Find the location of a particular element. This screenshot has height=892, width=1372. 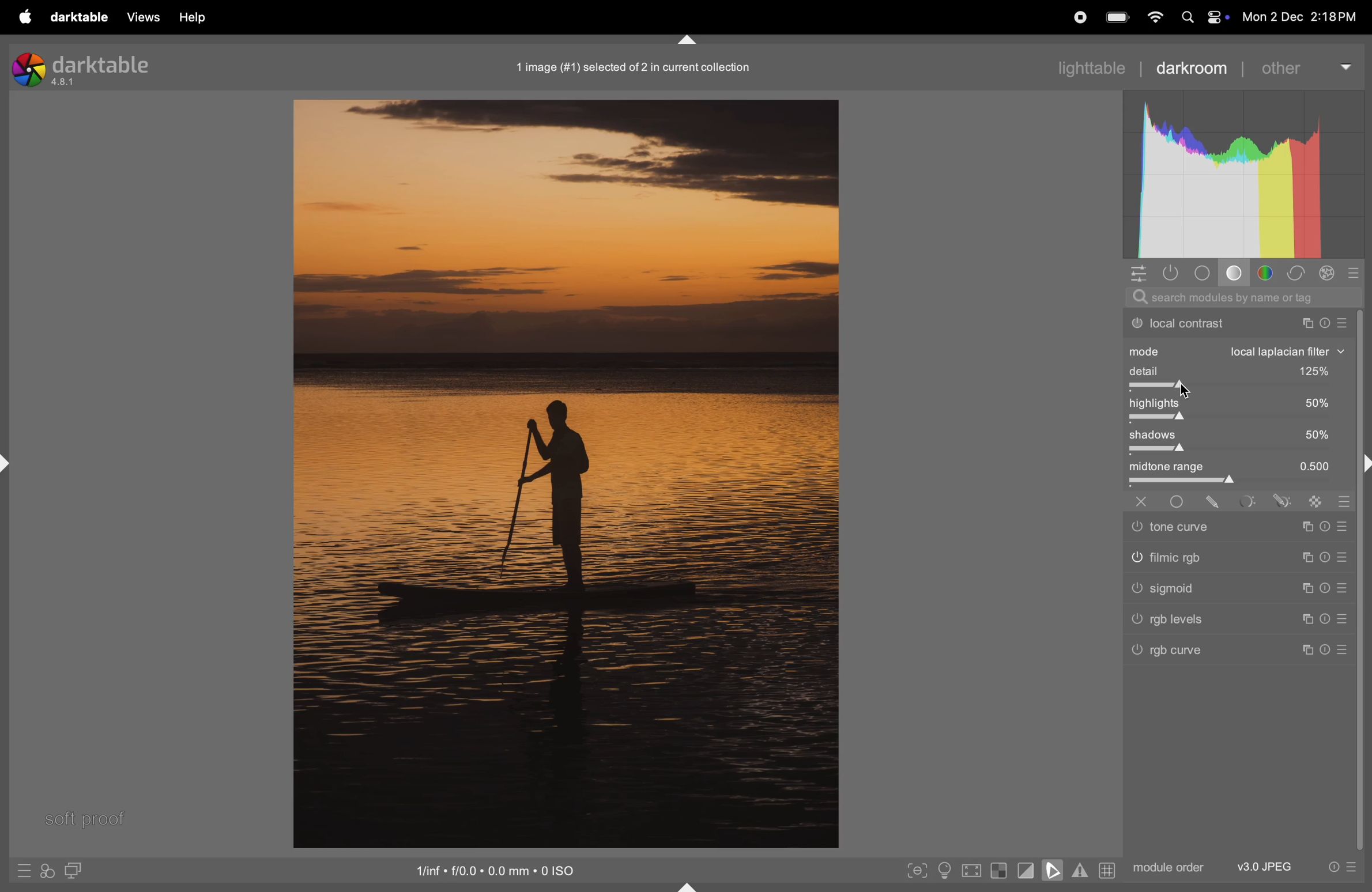

rgb curve  is located at coordinates (1177, 653).